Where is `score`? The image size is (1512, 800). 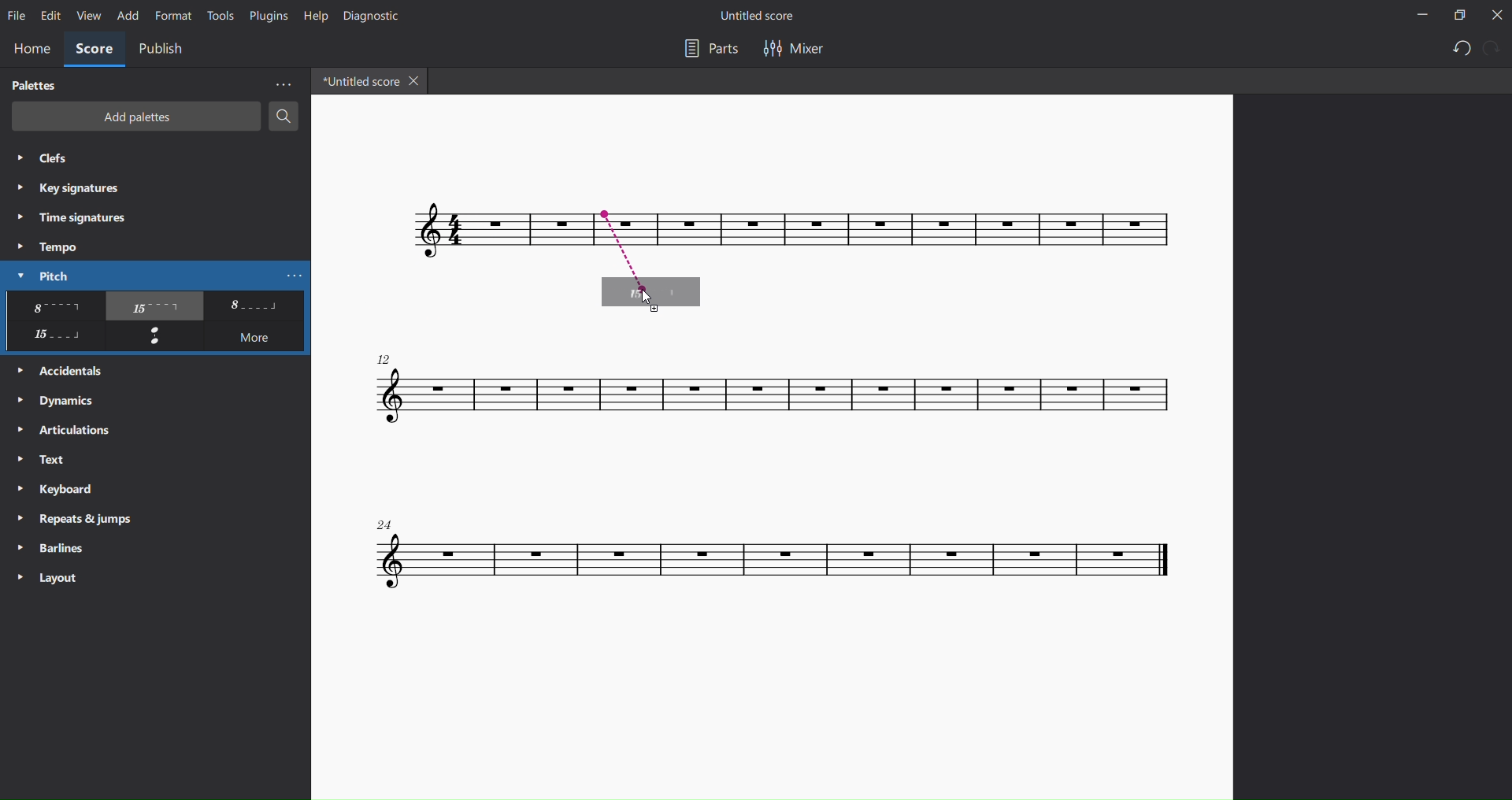
score is located at coordinates (92, 50).